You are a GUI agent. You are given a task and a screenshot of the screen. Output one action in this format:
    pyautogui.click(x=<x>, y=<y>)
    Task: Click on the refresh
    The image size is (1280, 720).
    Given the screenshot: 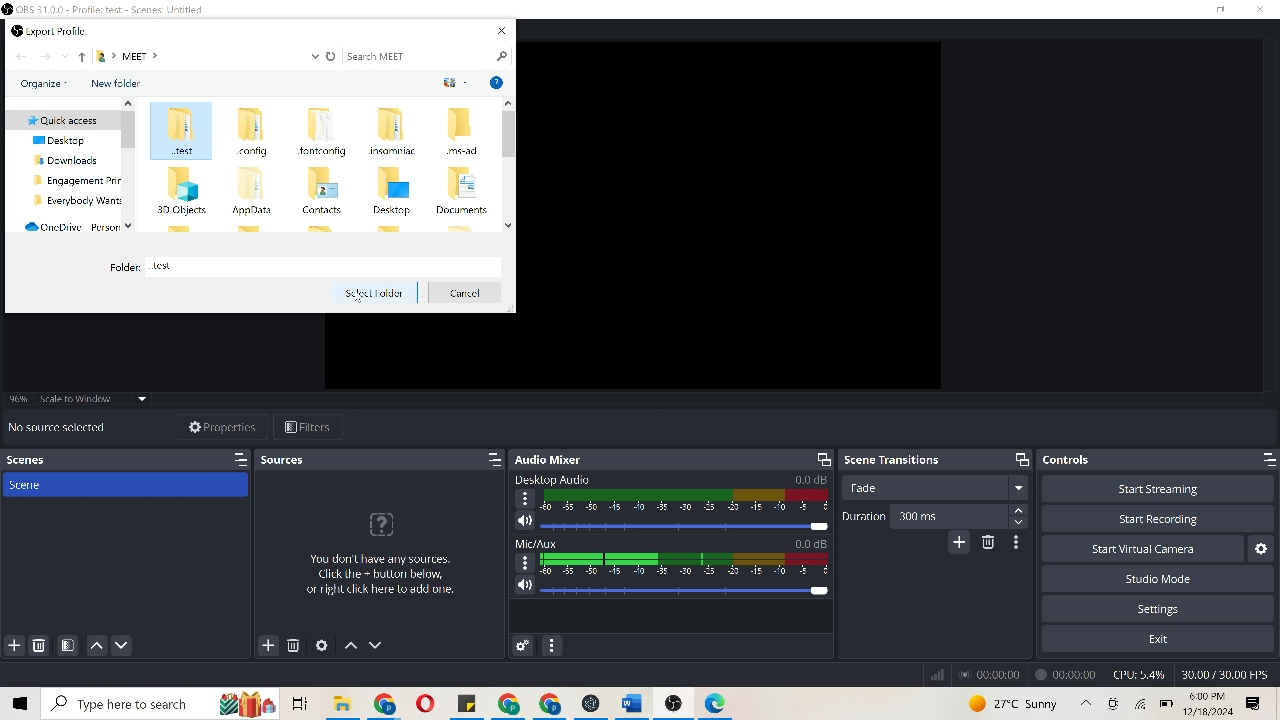 What is the action you would take?
    pyautogui.click(x=332, y=56)
    